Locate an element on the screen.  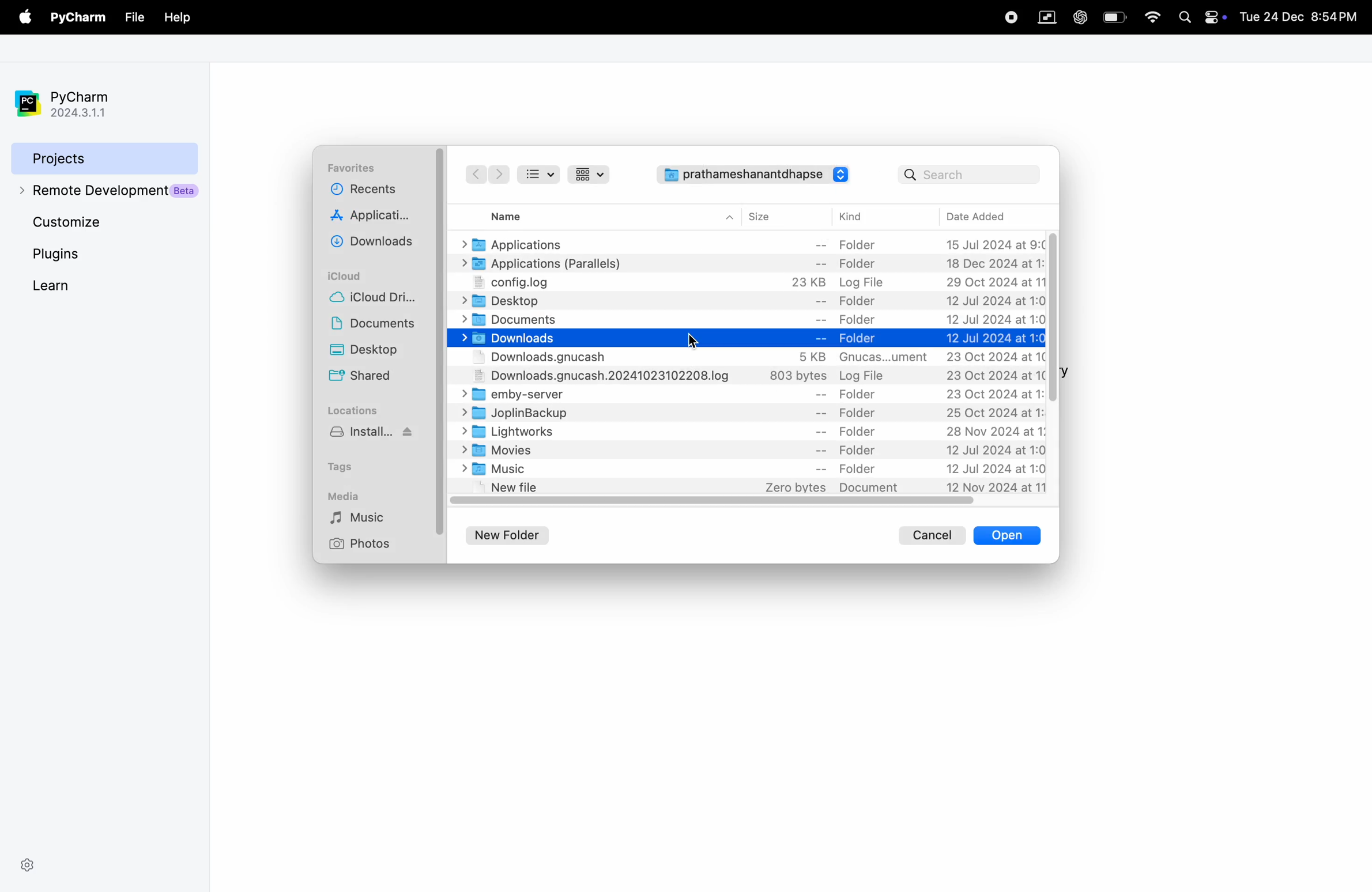
download gnucash is located at coordinates (753, 377).